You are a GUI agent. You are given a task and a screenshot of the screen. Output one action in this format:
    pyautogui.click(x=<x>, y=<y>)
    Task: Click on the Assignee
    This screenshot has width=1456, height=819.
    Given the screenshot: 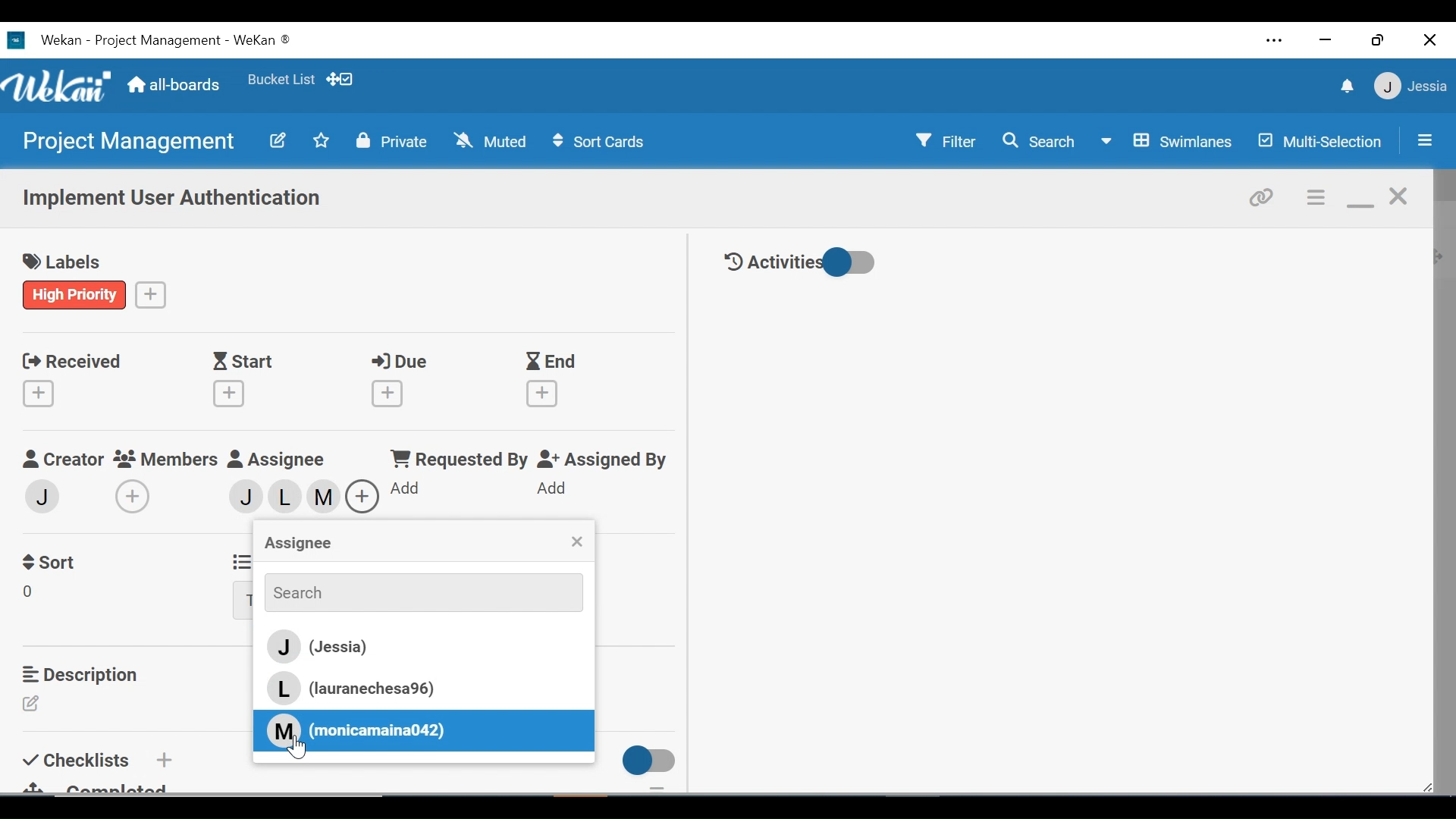 What is the action you would take?
    pyautogui.click(x=297, y=544)
    